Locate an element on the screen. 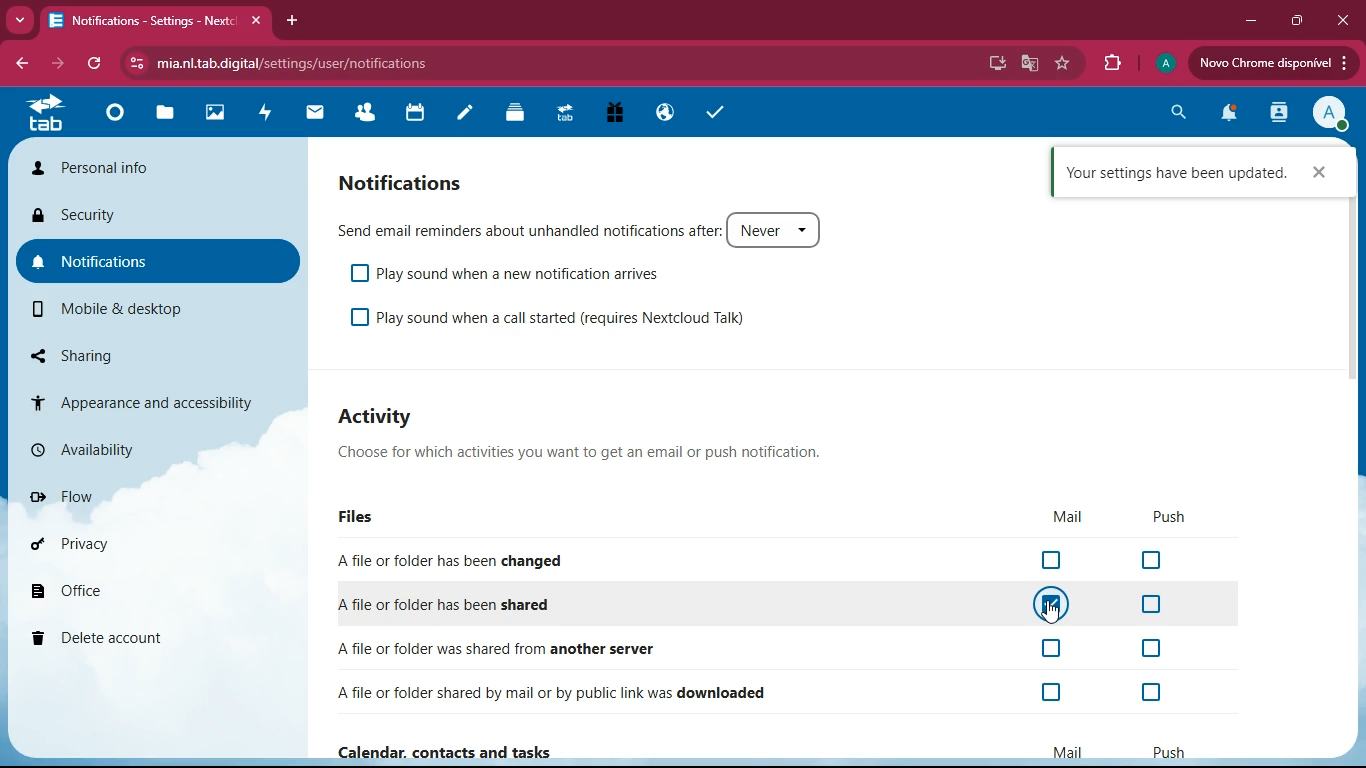 The image size is (1366, 768). another server is located at coordinates (511, 647).